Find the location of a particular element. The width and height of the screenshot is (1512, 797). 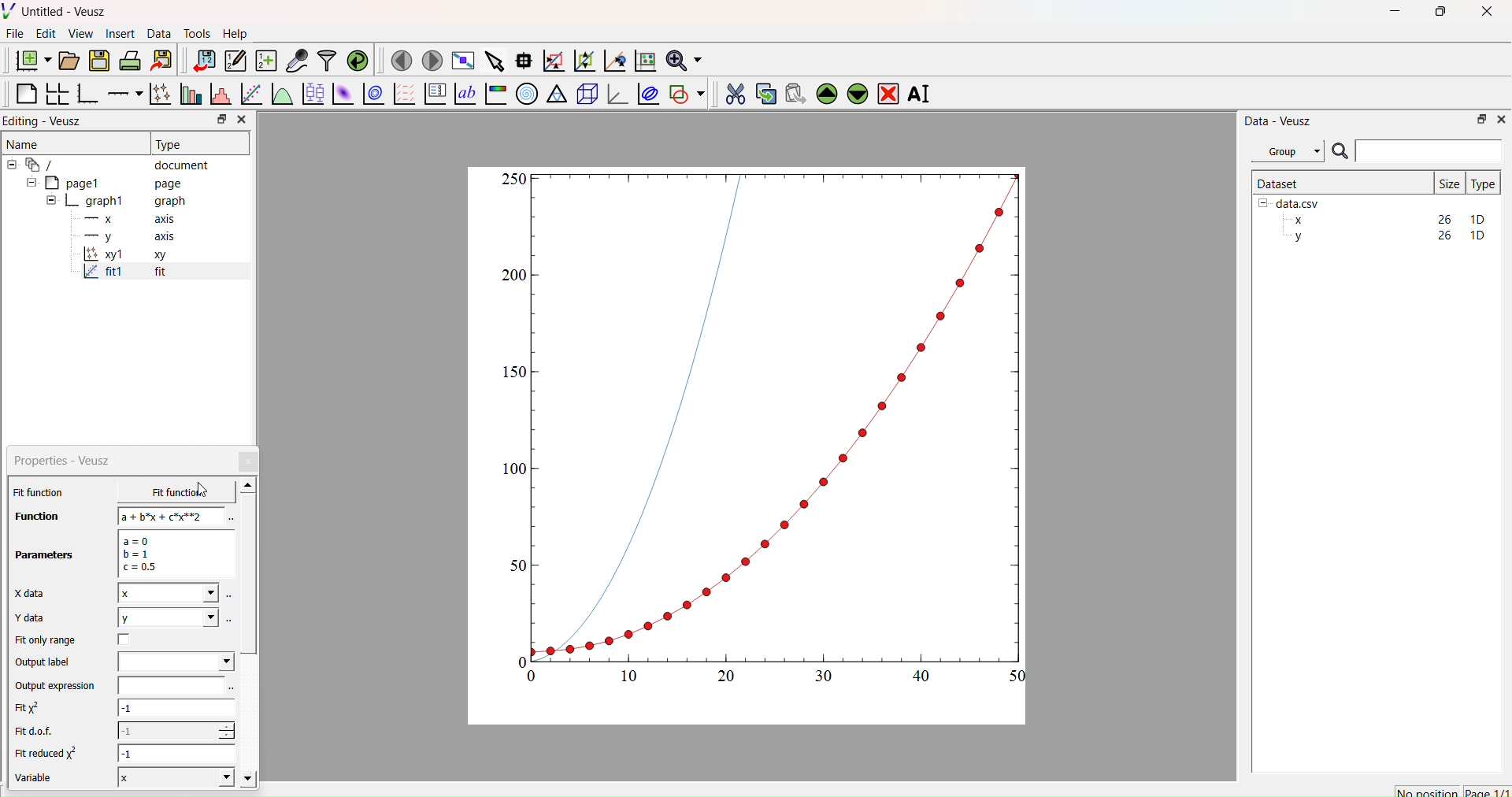

Fit only range is located at coordinates (46, 640).